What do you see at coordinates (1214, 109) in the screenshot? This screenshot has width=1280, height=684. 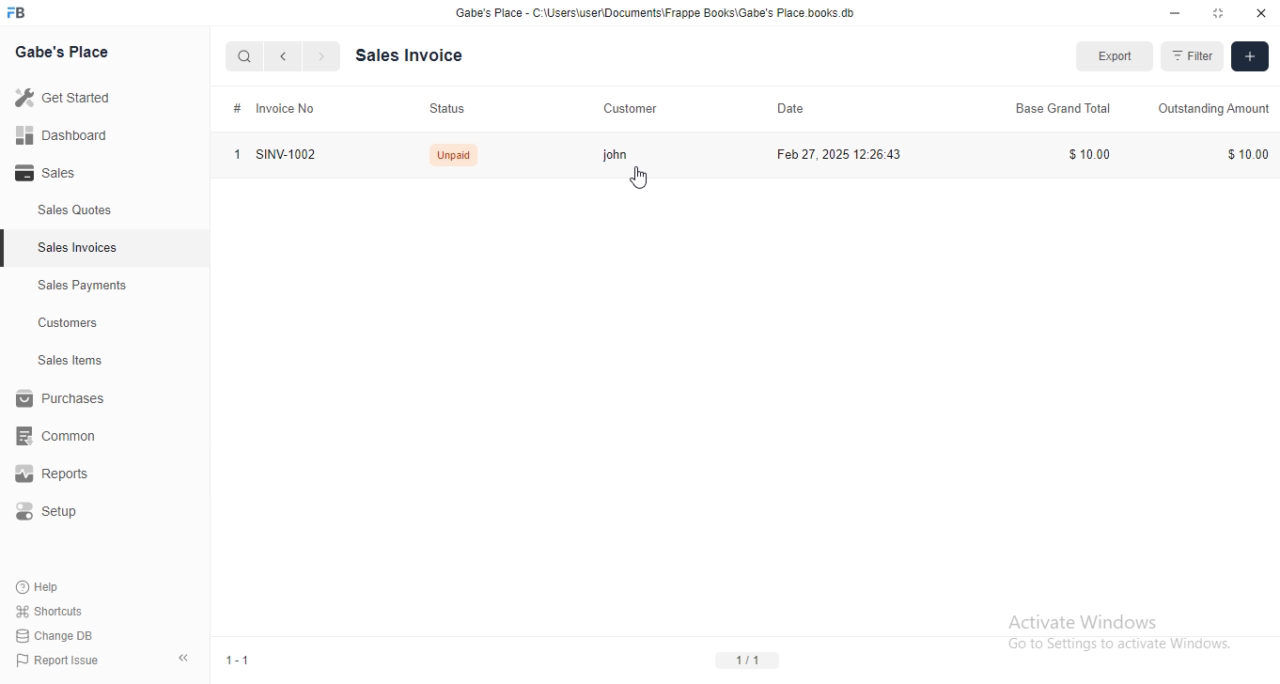 I see `outstanding amount` at bounding box center [1214, 109].